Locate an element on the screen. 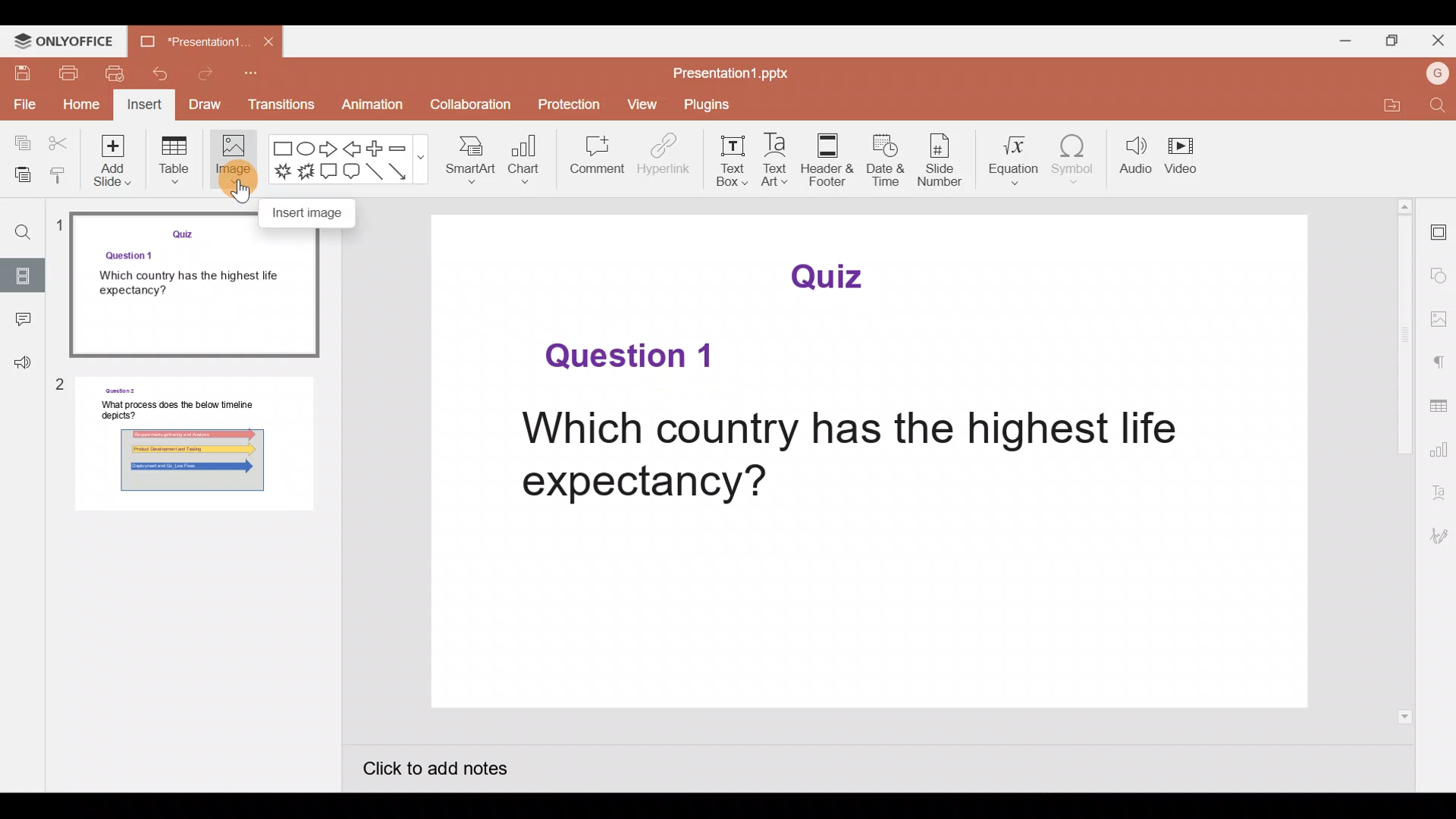  Left arrow is located at coordinates (356, 149).